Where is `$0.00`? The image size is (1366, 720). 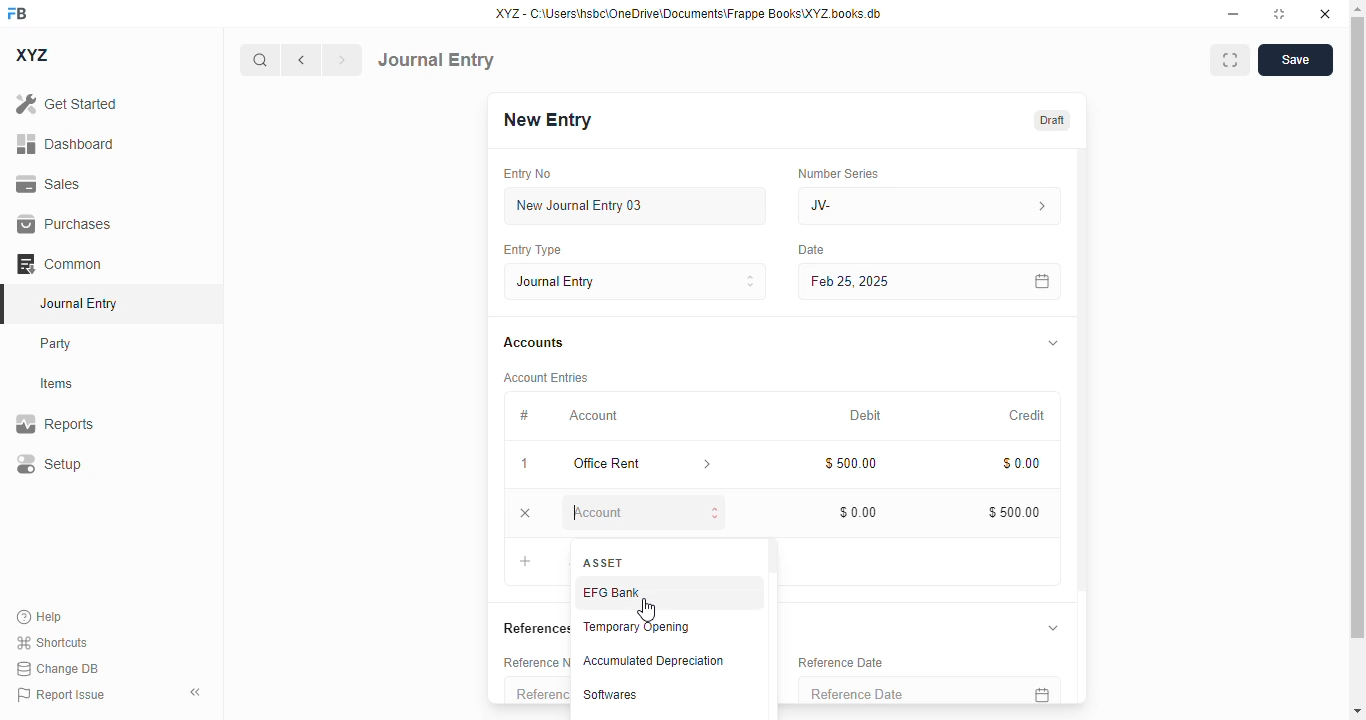
$0.00 is located at coordinates (1021, 462).